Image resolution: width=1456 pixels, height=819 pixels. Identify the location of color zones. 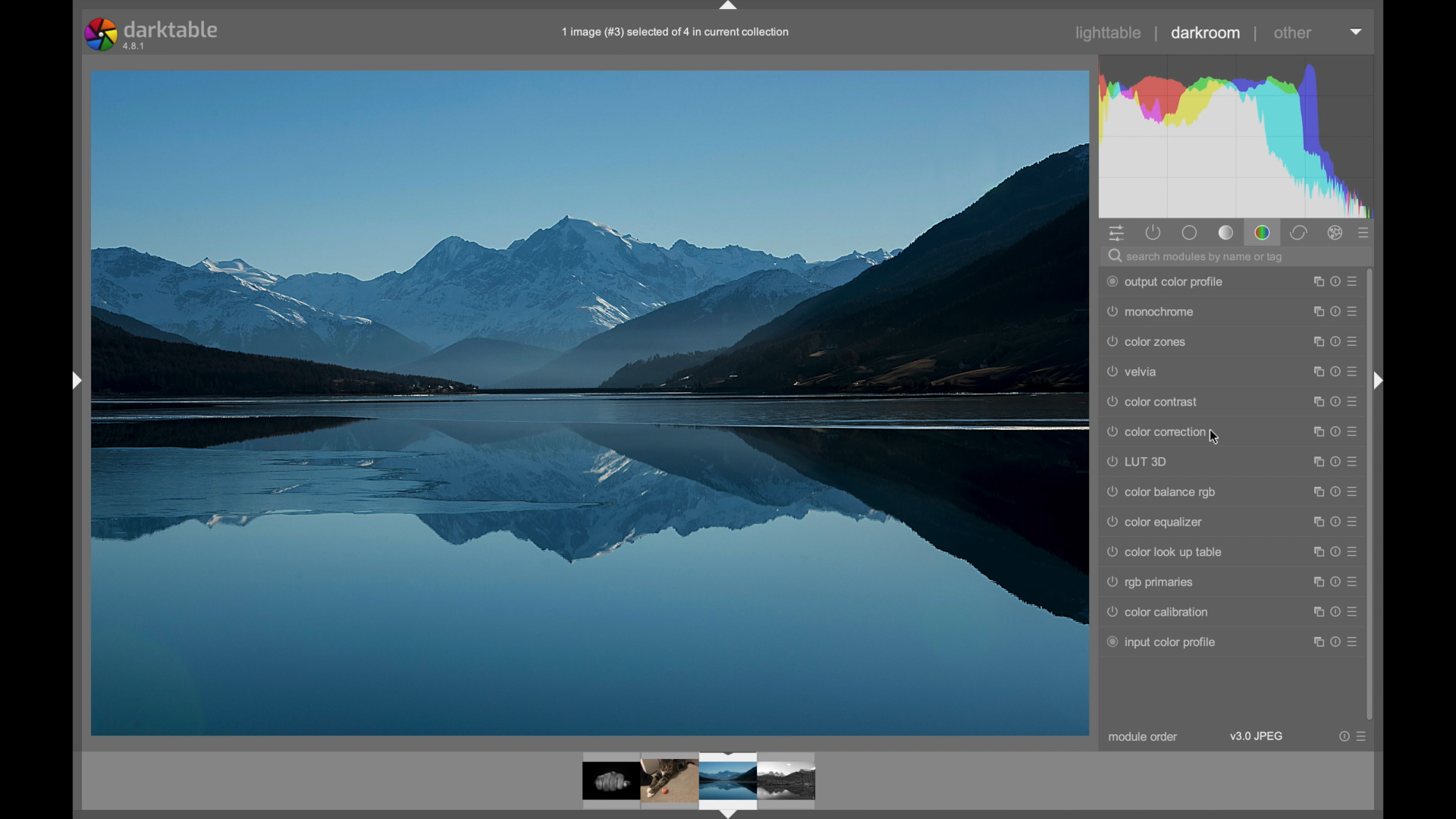
(1150, 342).